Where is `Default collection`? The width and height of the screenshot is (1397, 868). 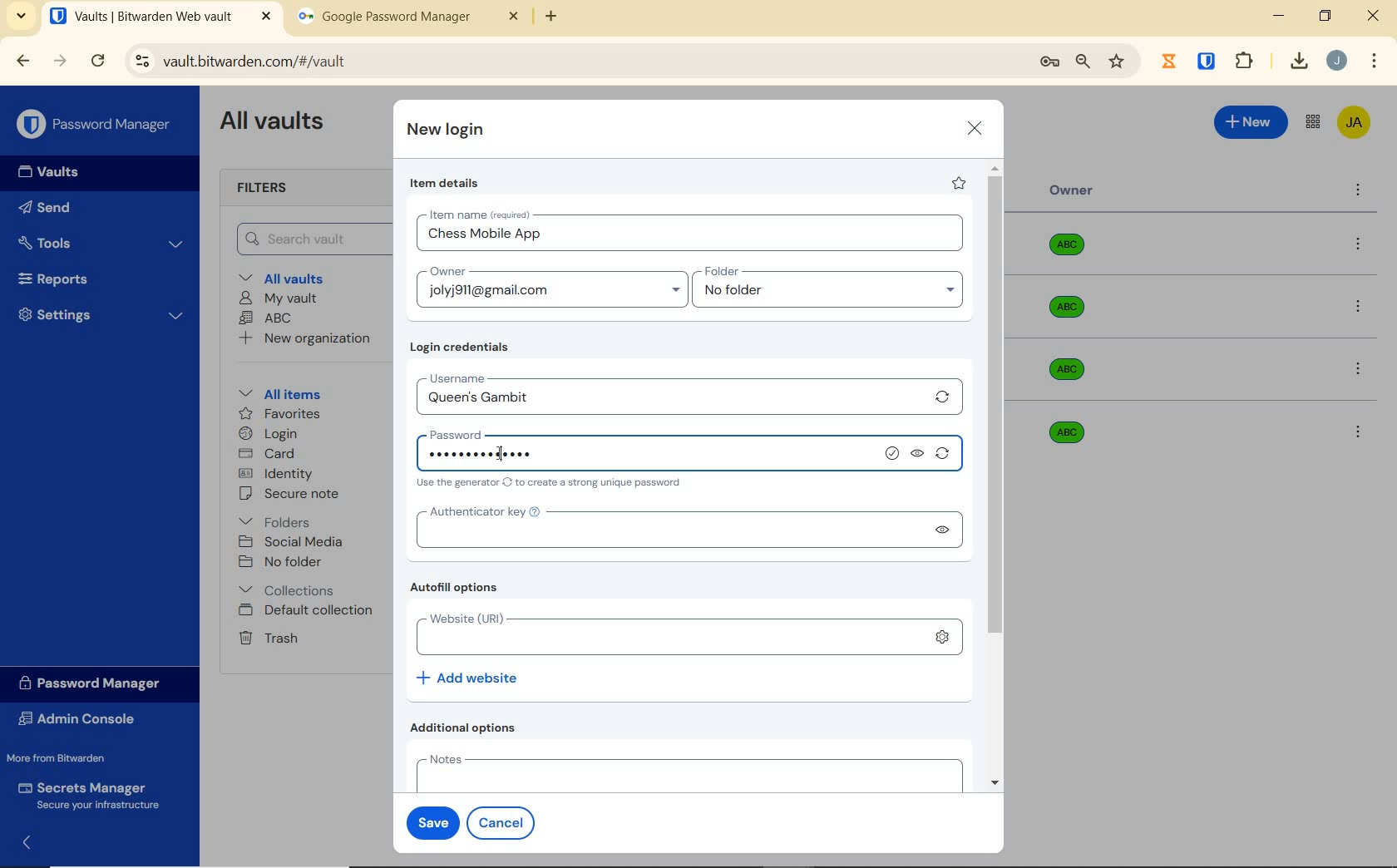
Default collection is located at coordinates (309, 611).